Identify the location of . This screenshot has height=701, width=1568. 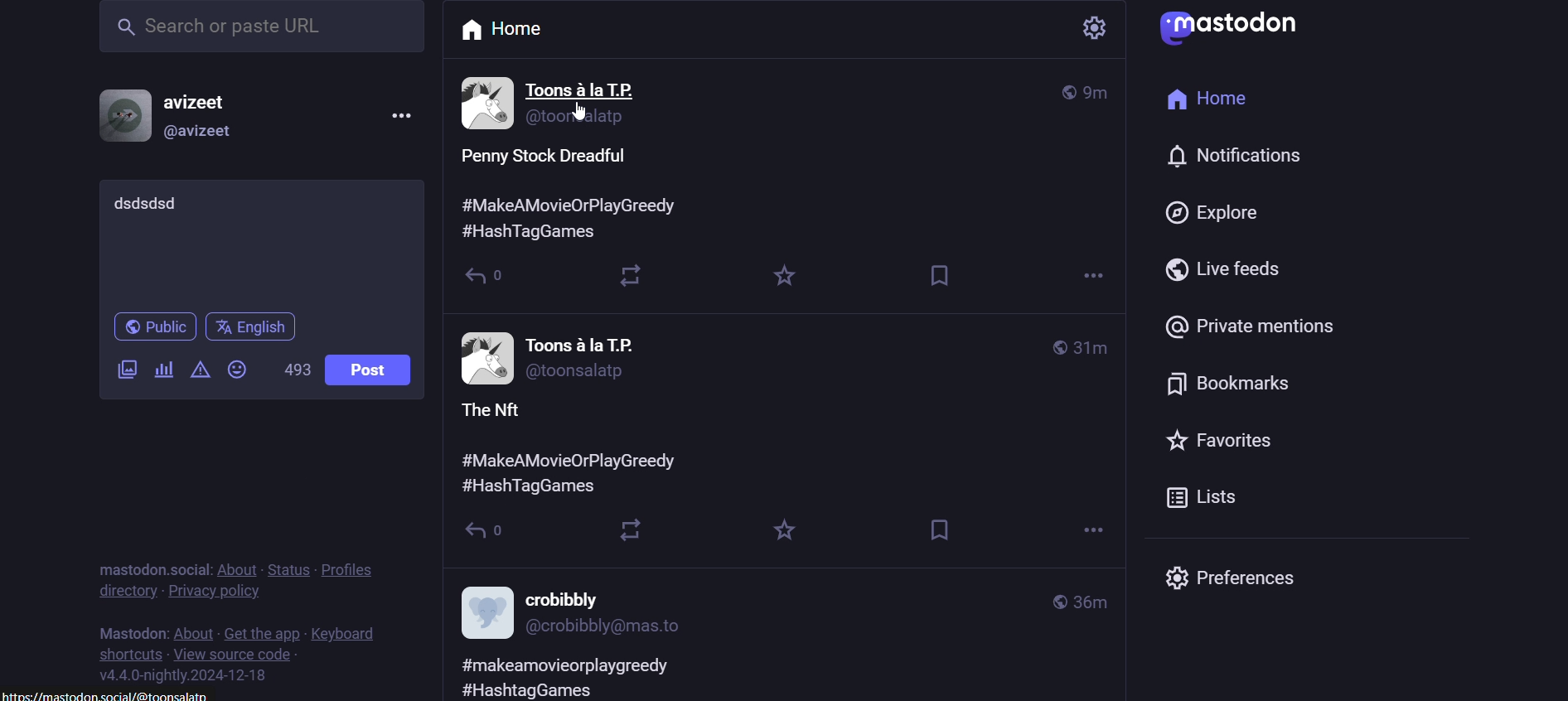
(542, 486).